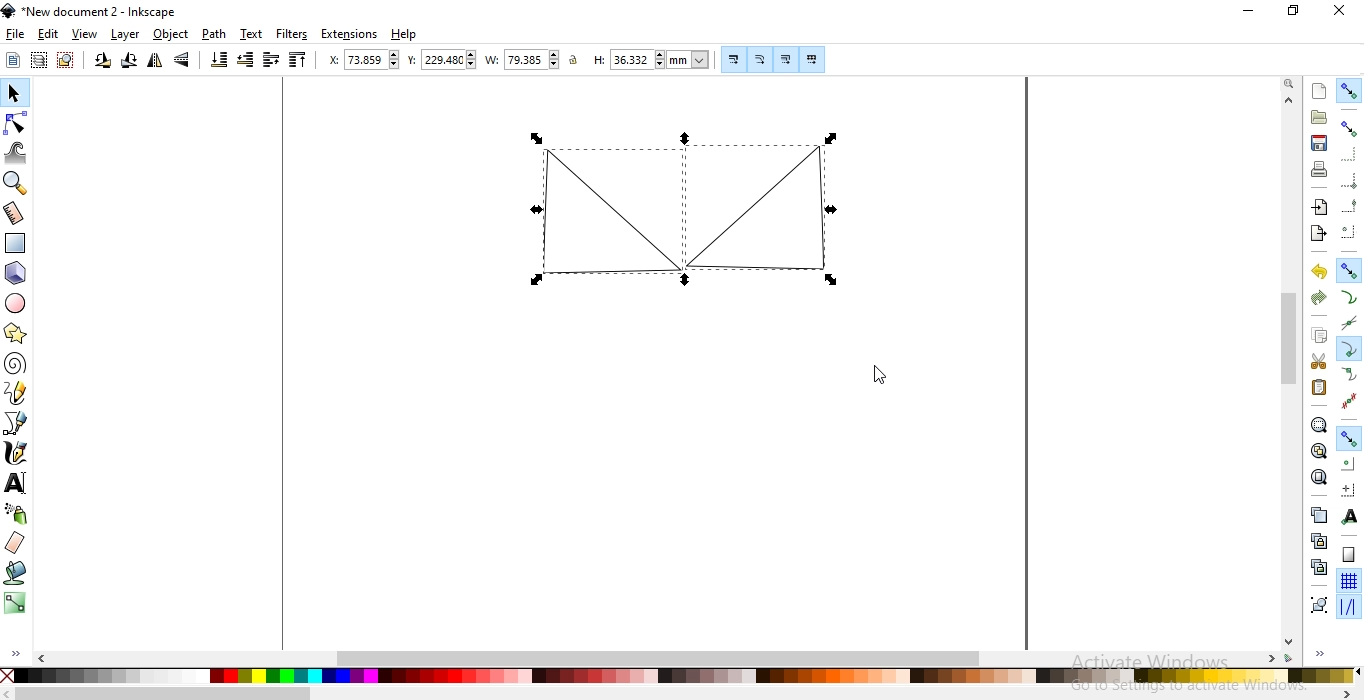 This screenshot has width=1364, height=700. I want to click on scrollbar, so click(1289, 372).